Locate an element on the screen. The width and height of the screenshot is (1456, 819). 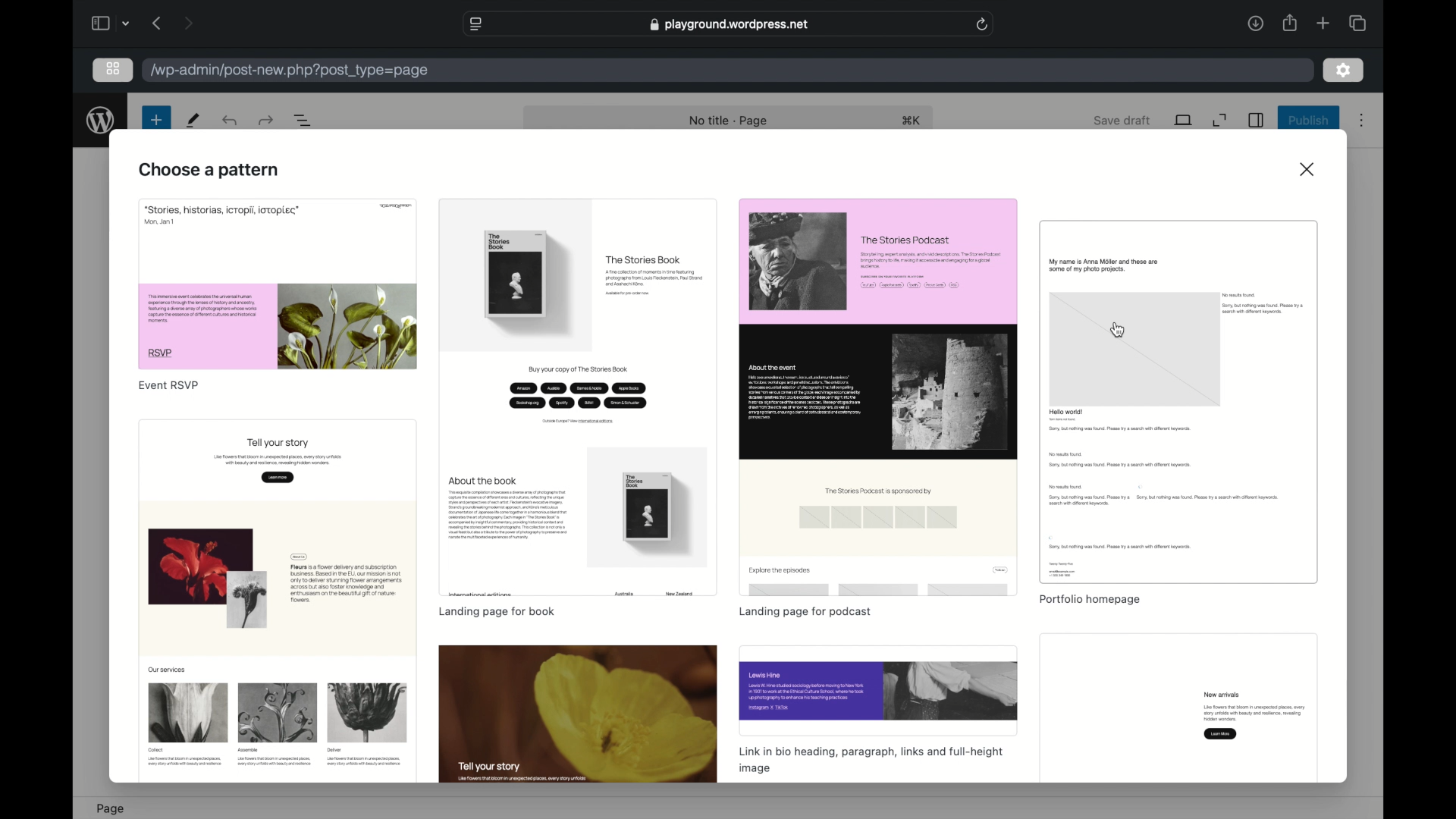
preview is located at coordinates (278, 603).